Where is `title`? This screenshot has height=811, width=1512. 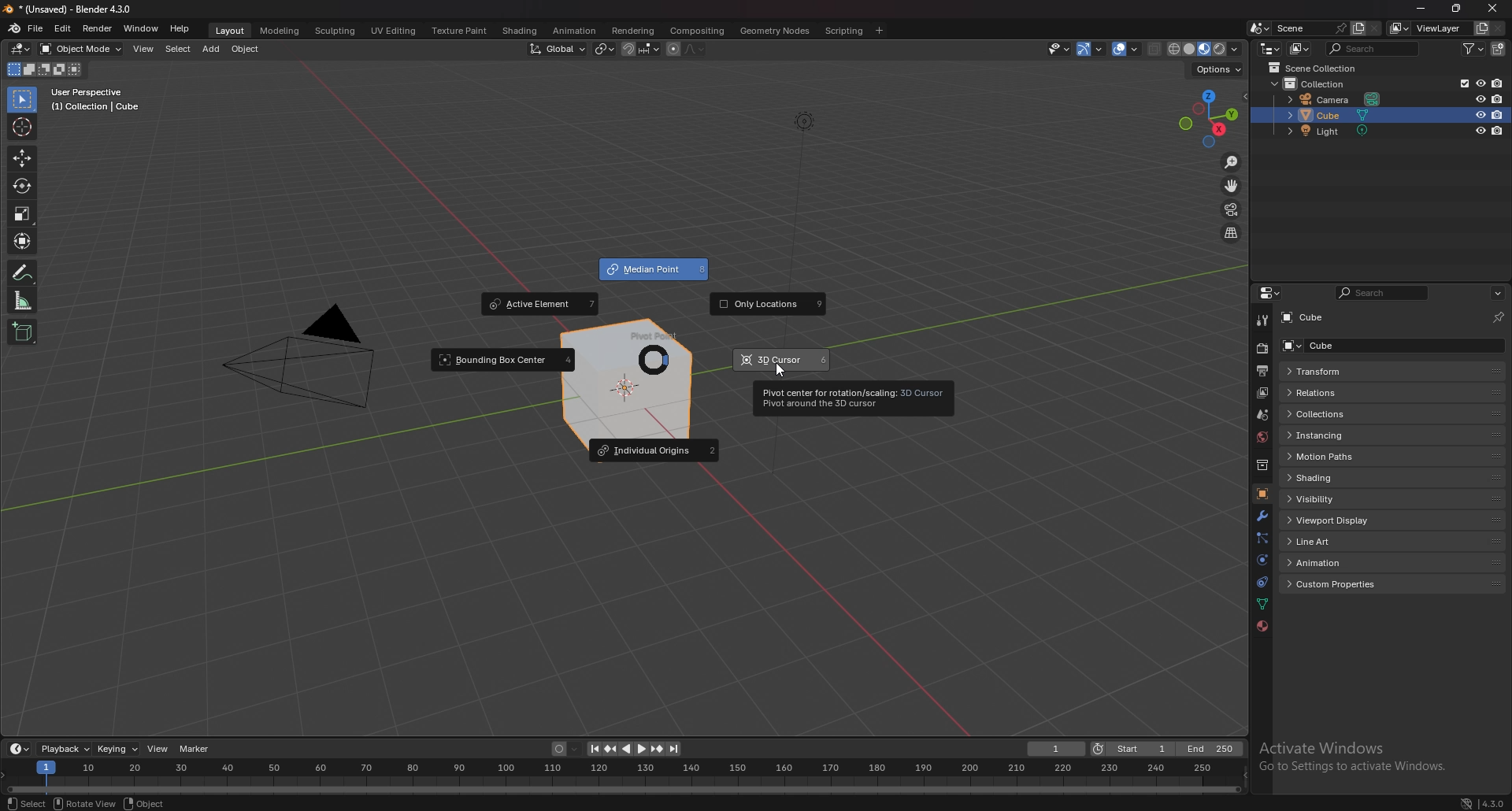 title is located at coordinates (71, 9).